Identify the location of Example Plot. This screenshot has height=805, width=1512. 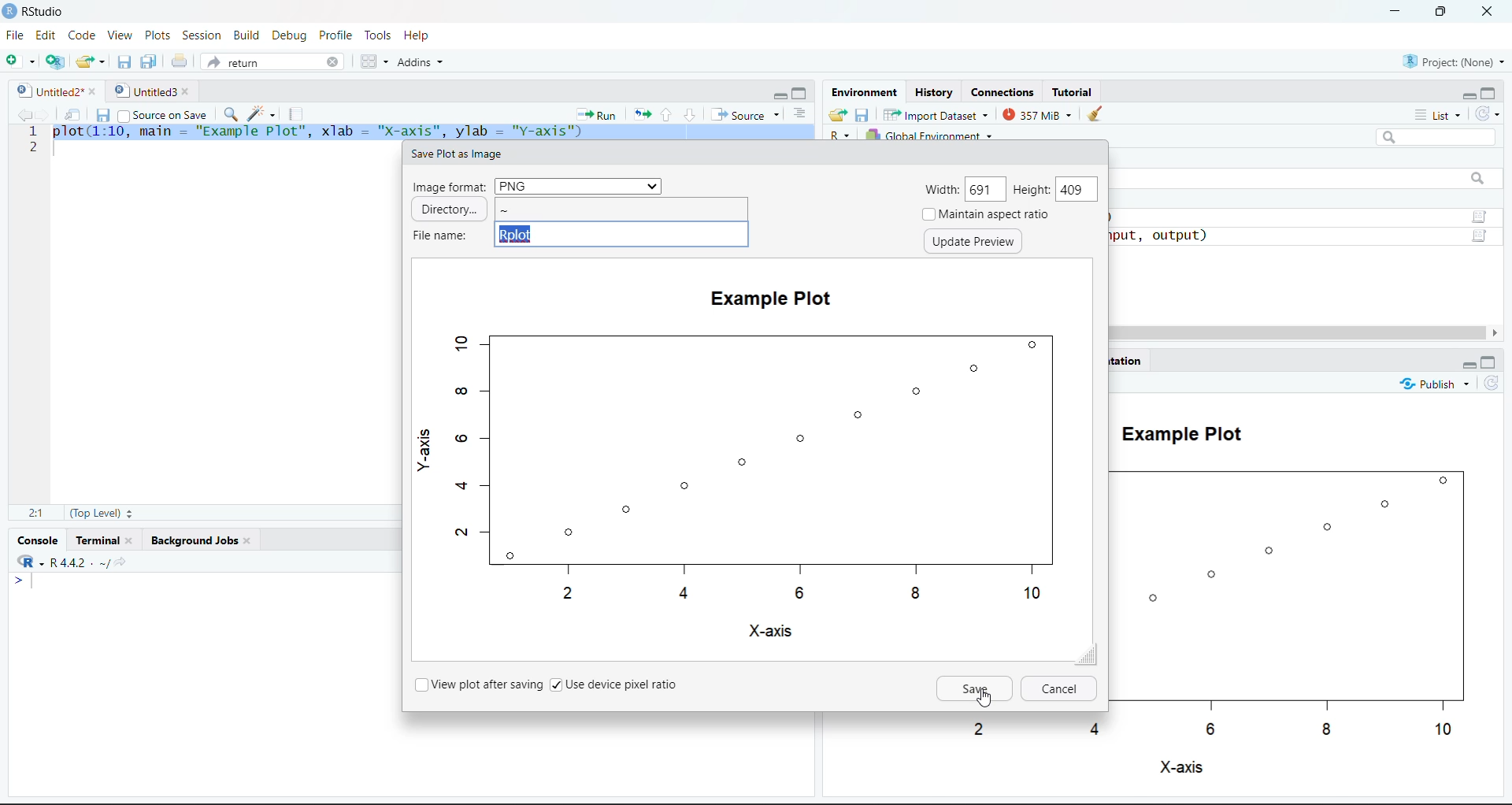
(772, 299).